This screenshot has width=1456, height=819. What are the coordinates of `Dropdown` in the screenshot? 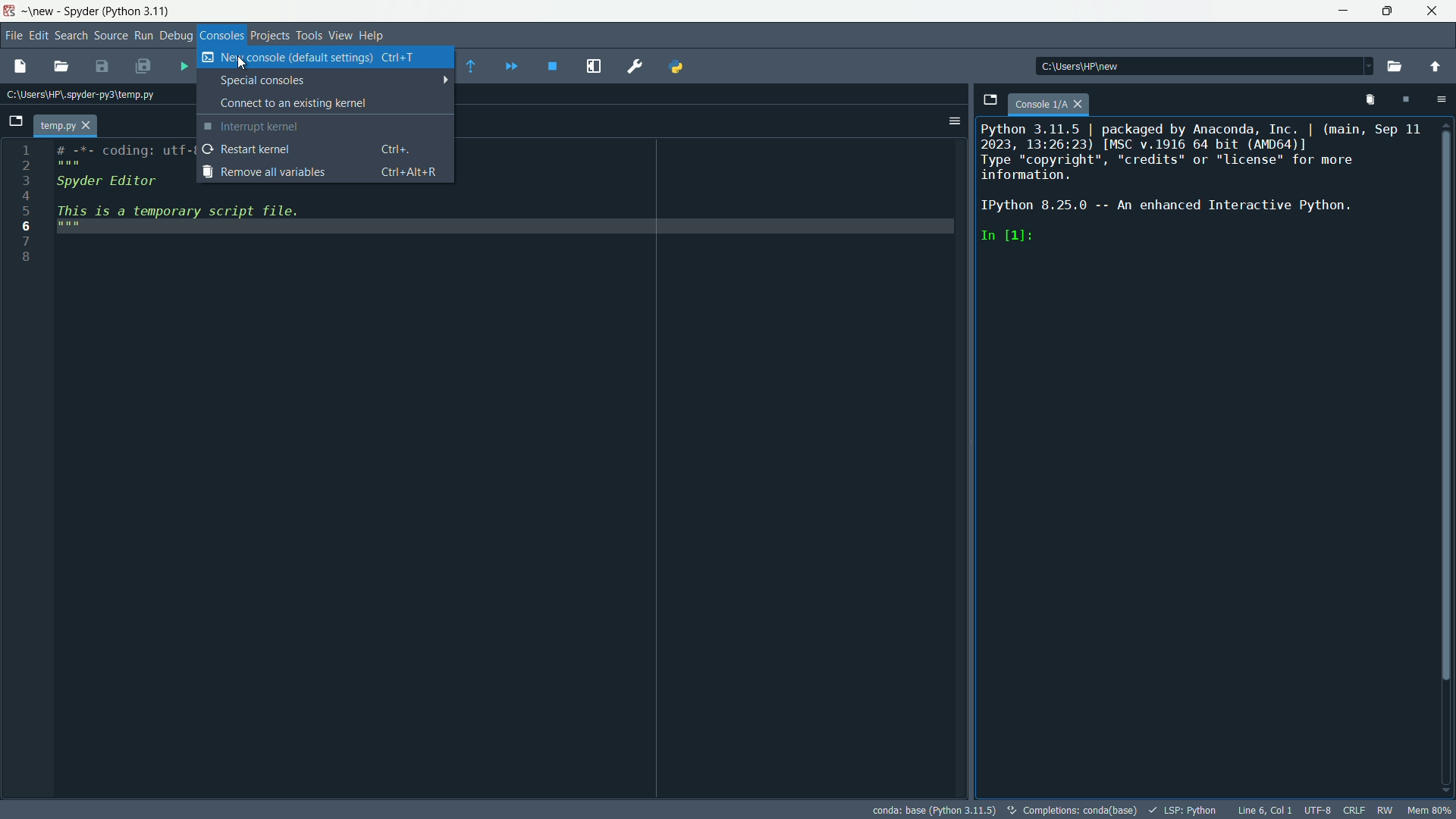 It's located at (1368, 73).